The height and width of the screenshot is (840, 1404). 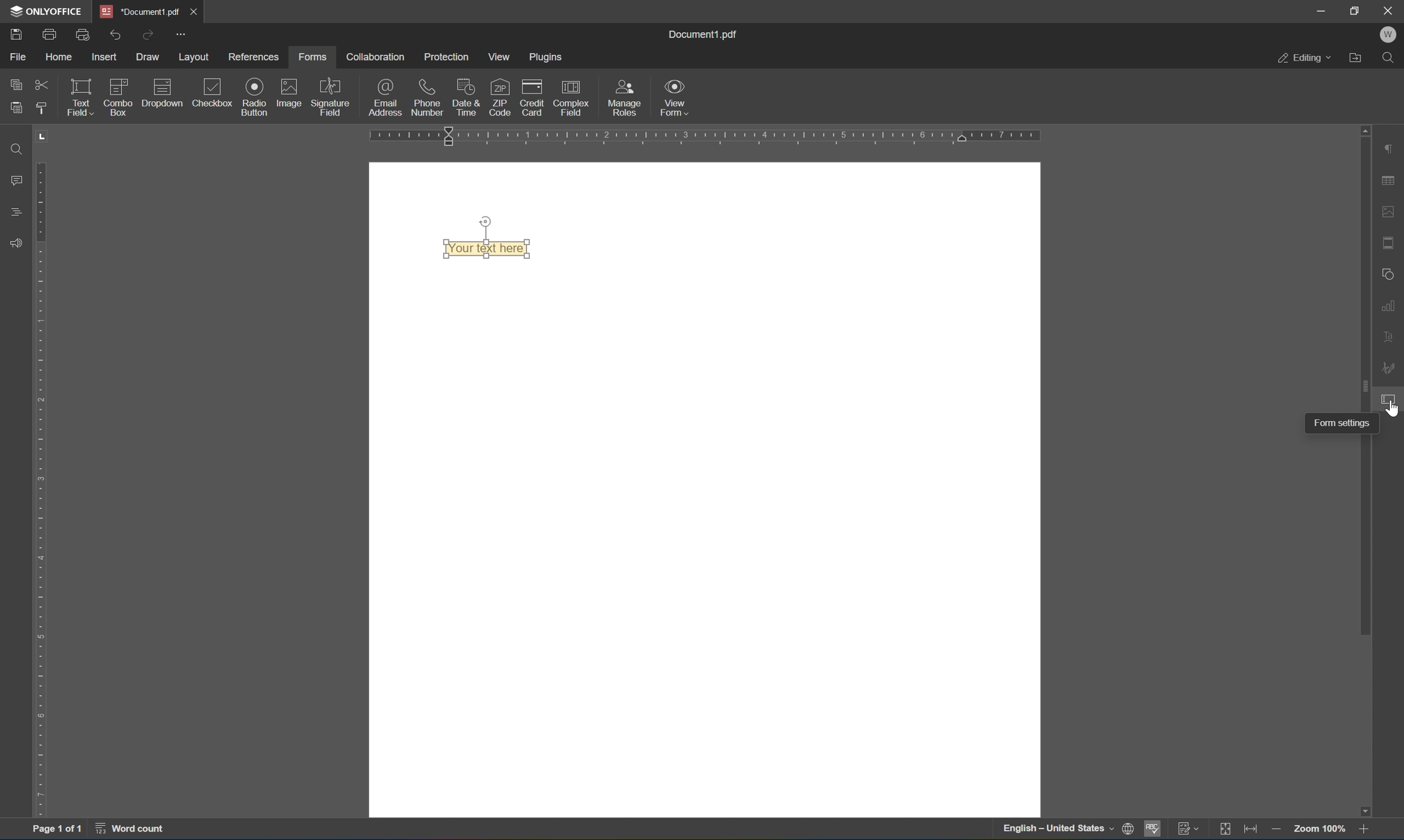 What do you see at coordinates (1389, 9) in the screenshot?
I see `close` at bounding box center [1389, 9].